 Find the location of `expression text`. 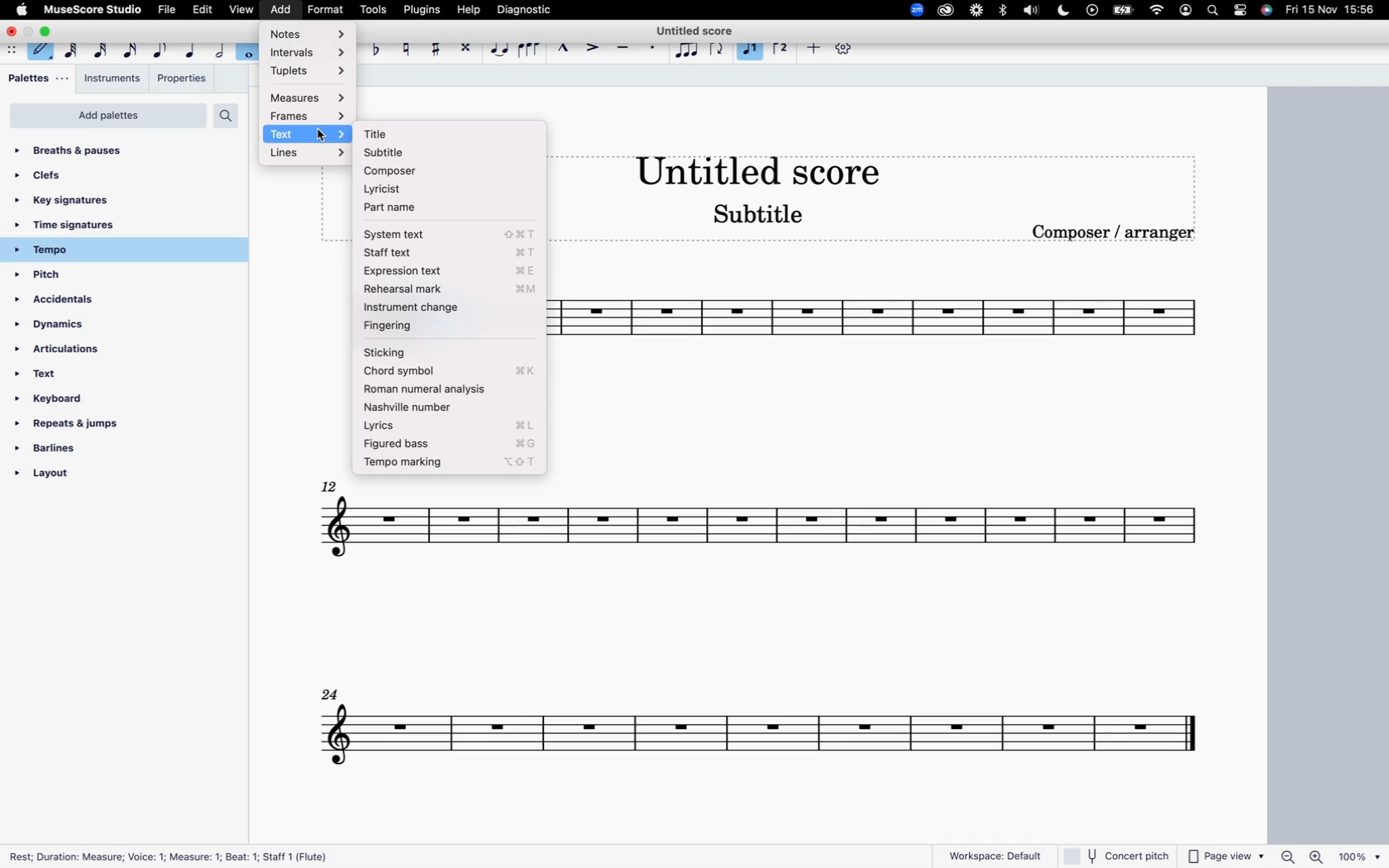

expression text is located at coordinates (453, 271).